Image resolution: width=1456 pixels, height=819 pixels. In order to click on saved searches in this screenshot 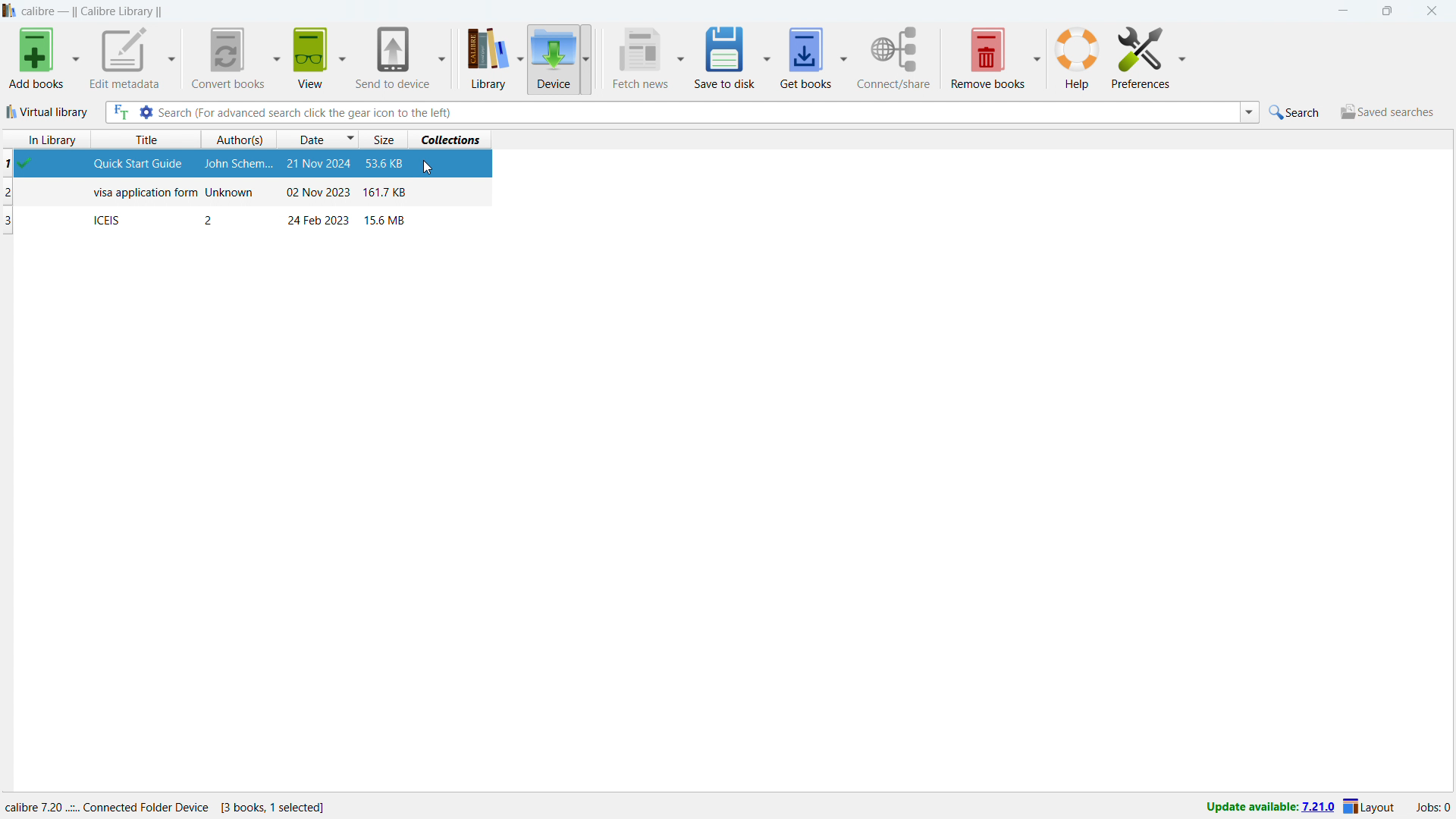, I will do `click(1386, 111)`.